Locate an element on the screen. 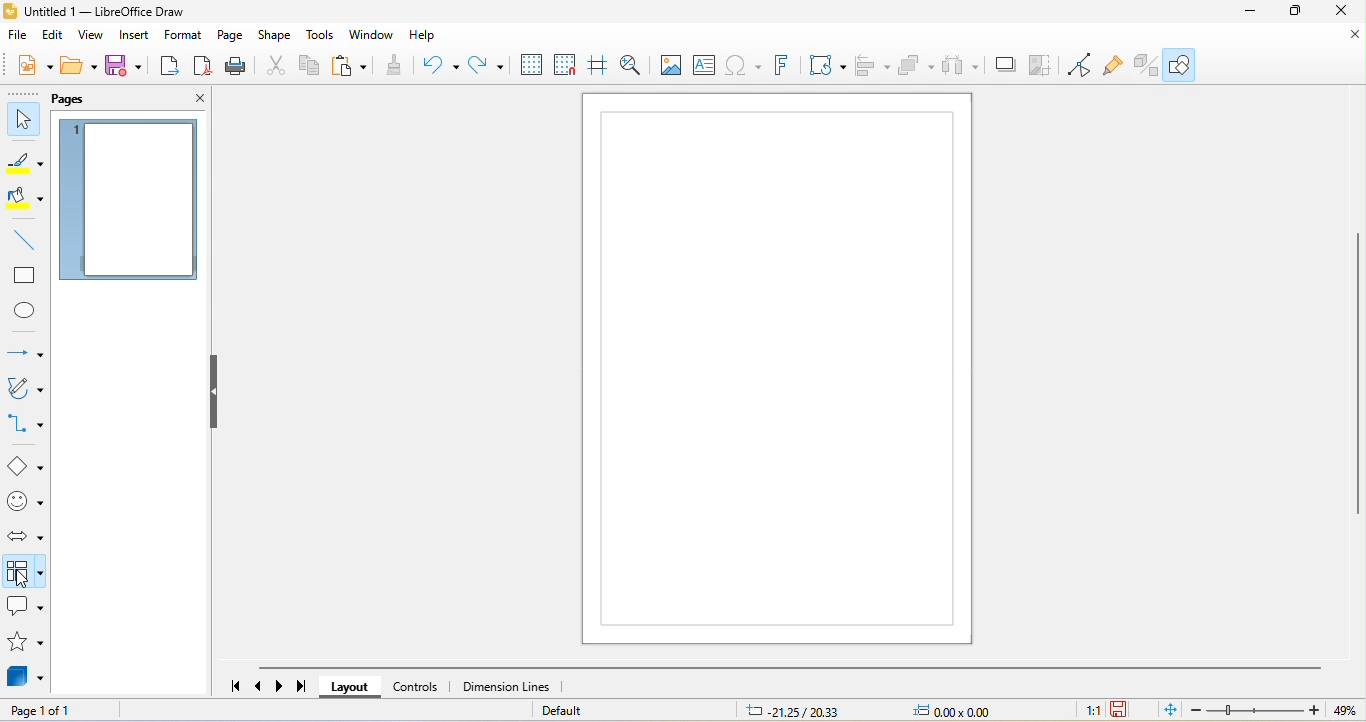 This screenshot has height=722, width=1366. 49% is located at coordinates (1348, 711).